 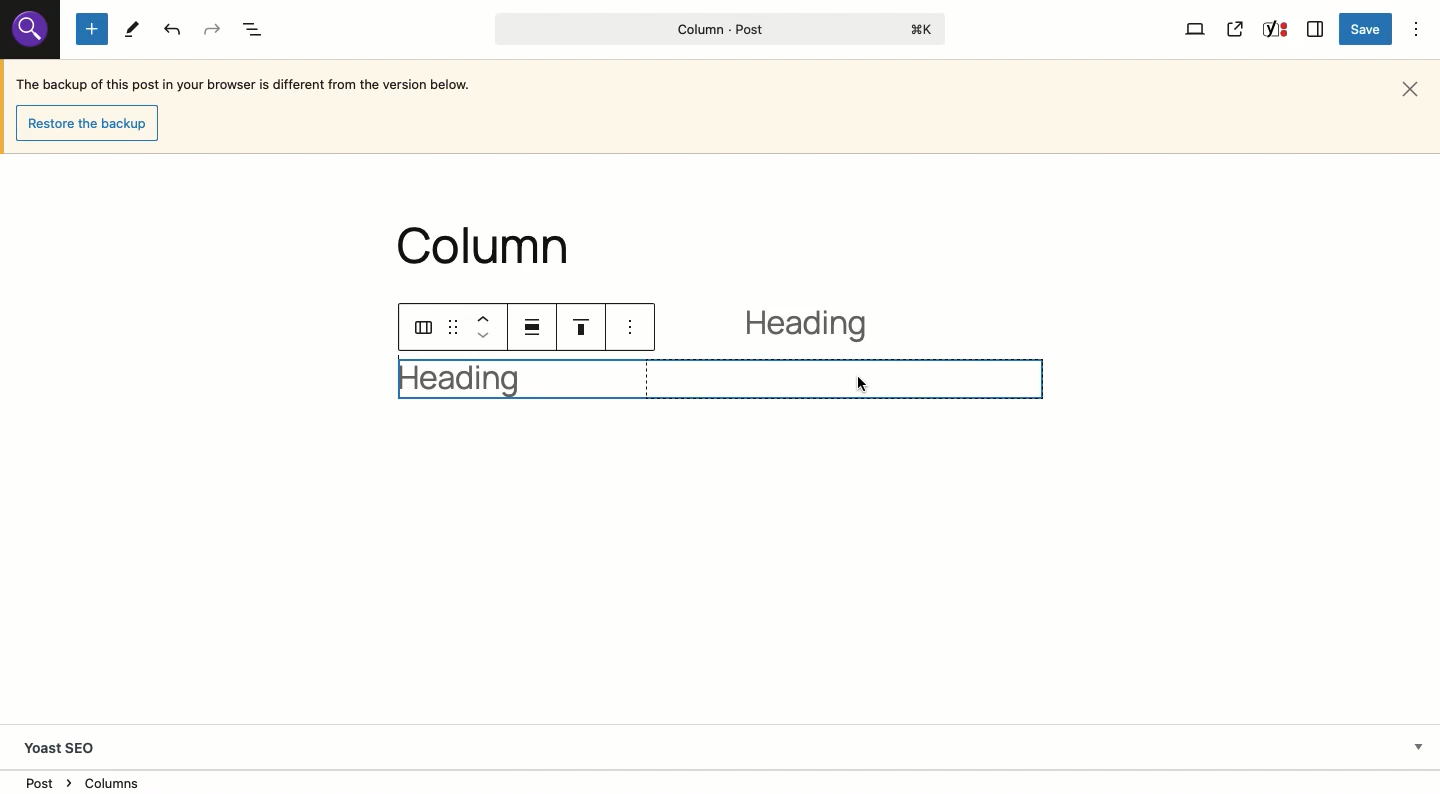 What do you see at coordinates (256, 31) in the screenshot?
I see `Document overview` at bounding box center [256, 31].